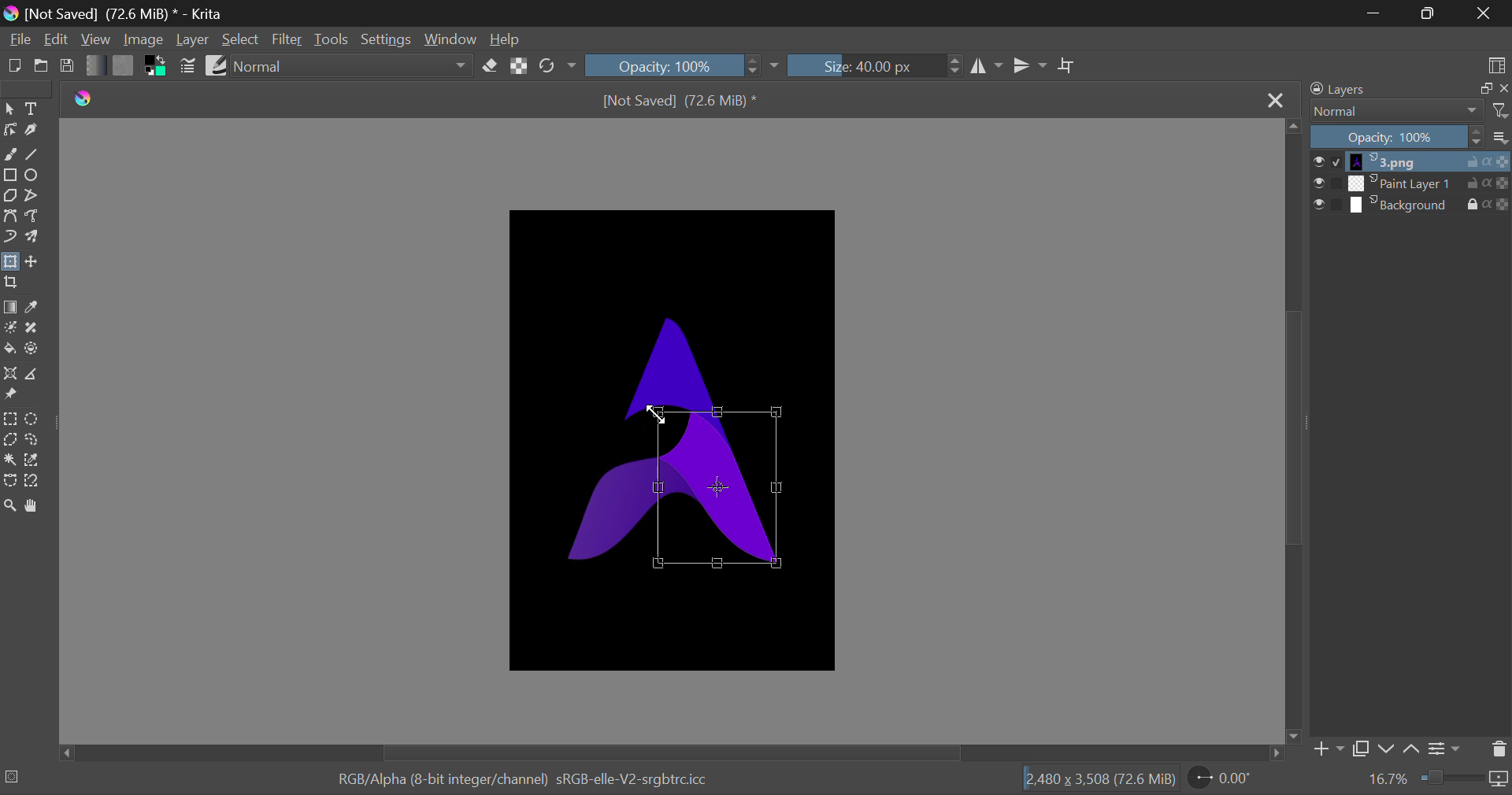 This screenshot has width=1512, height=795. I want to click on Choose Workspace, so click(1497, 65).